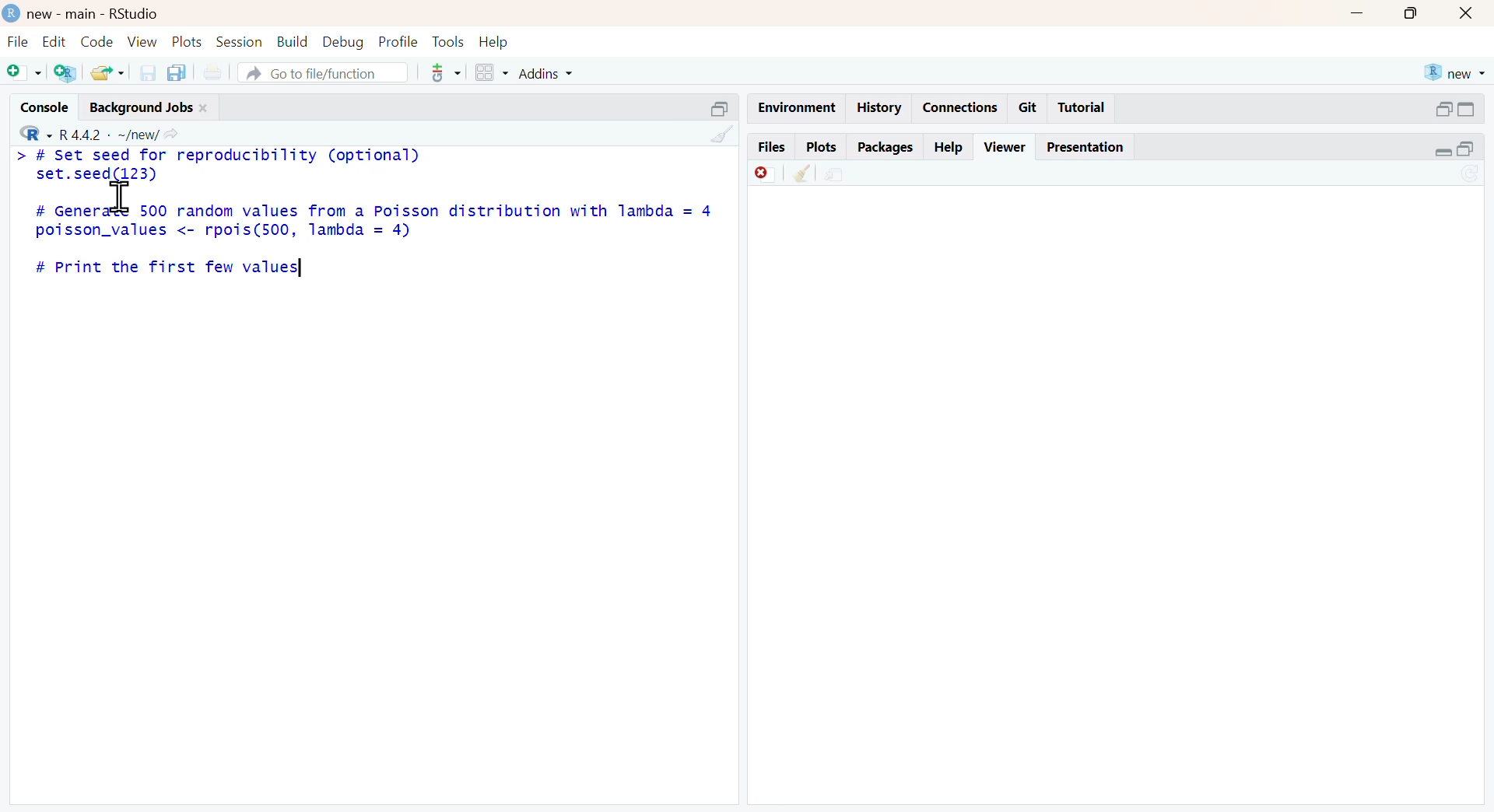  I want to click on go to file/function, so click(324, 72).